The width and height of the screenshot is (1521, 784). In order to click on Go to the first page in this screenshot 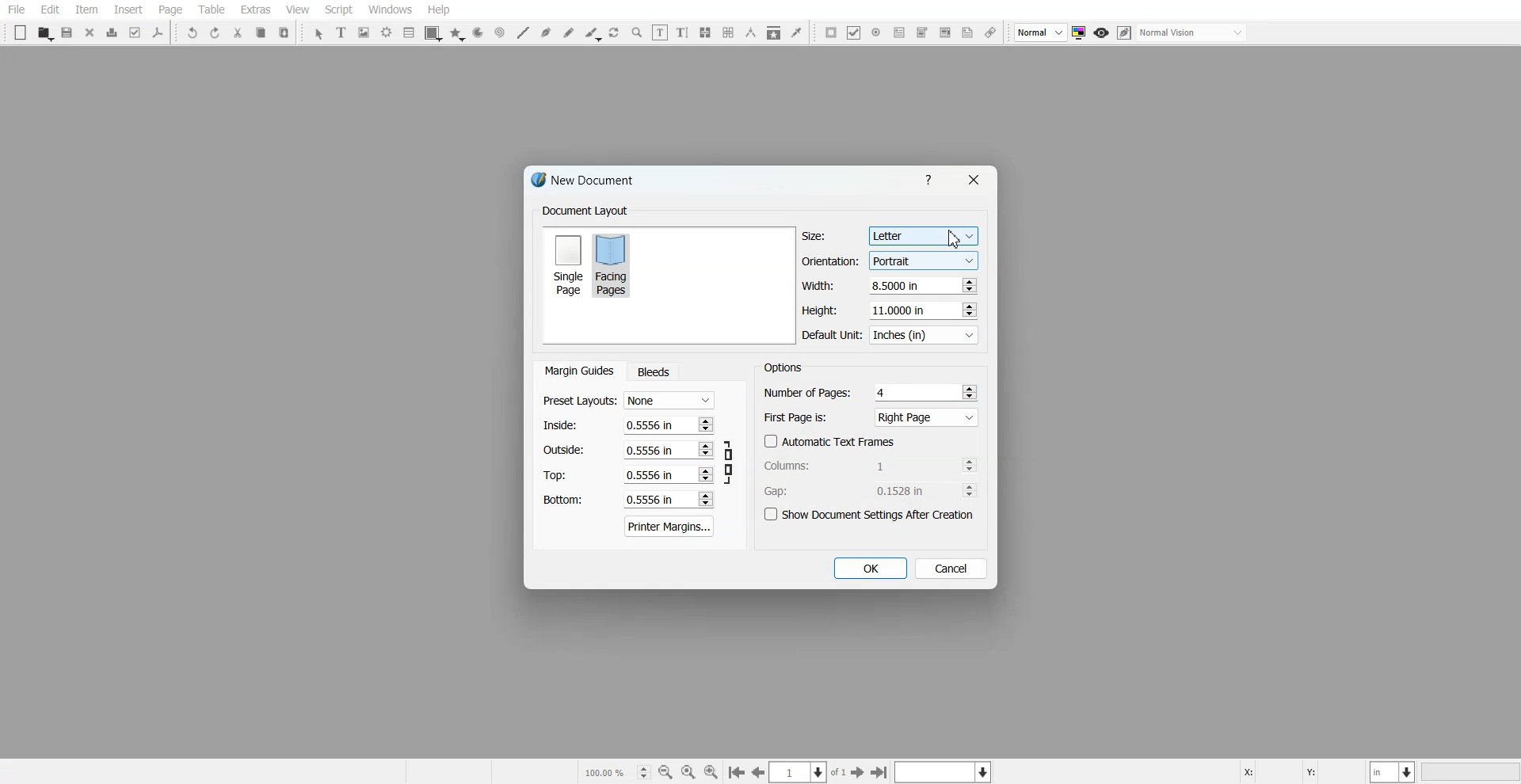, I will do `click(881, 772)`.